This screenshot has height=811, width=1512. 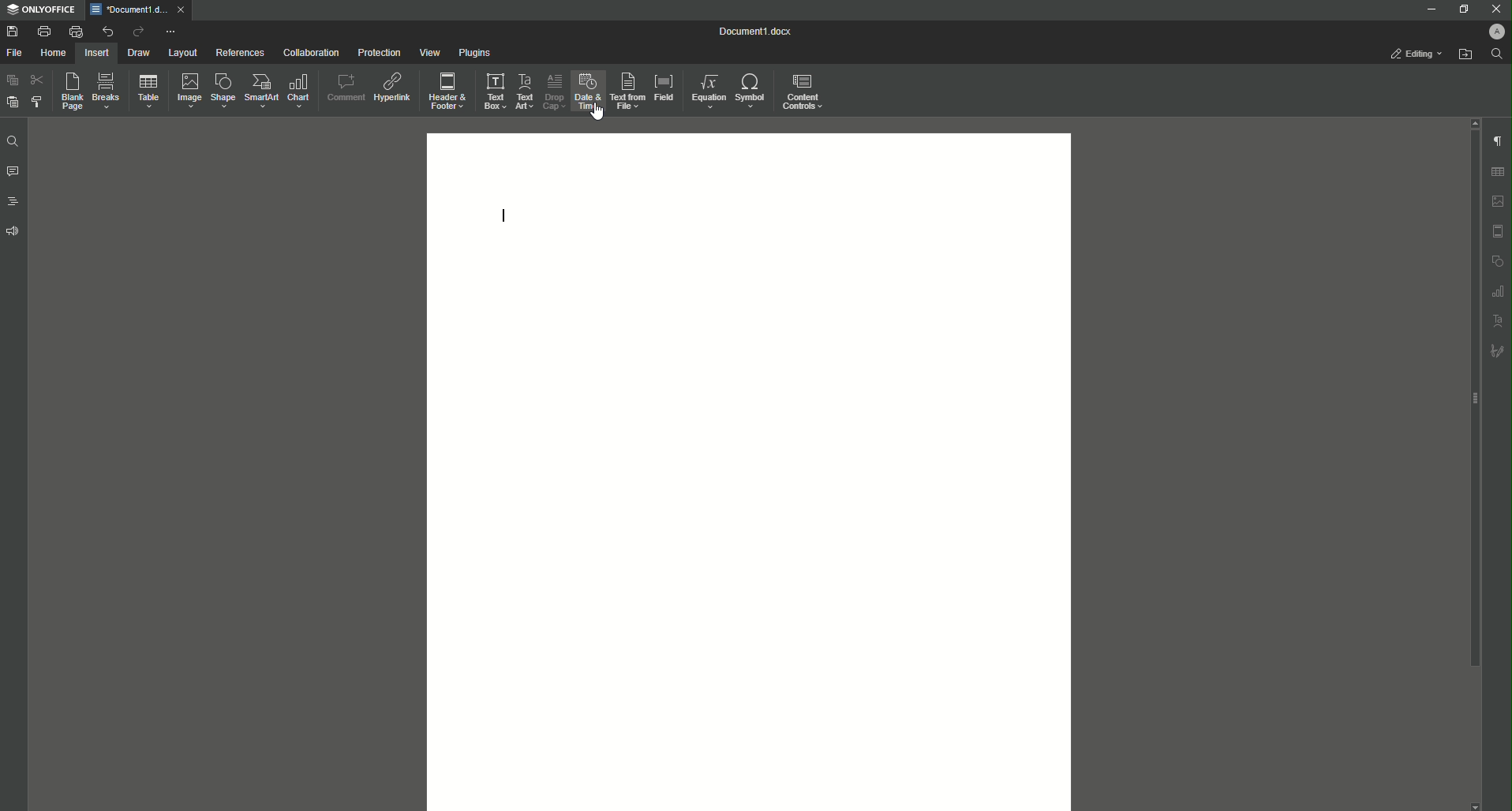 What do you see at coordinates (628, 92) in the screenshot?
I see `Text From File` at bounding box center [628, 92].